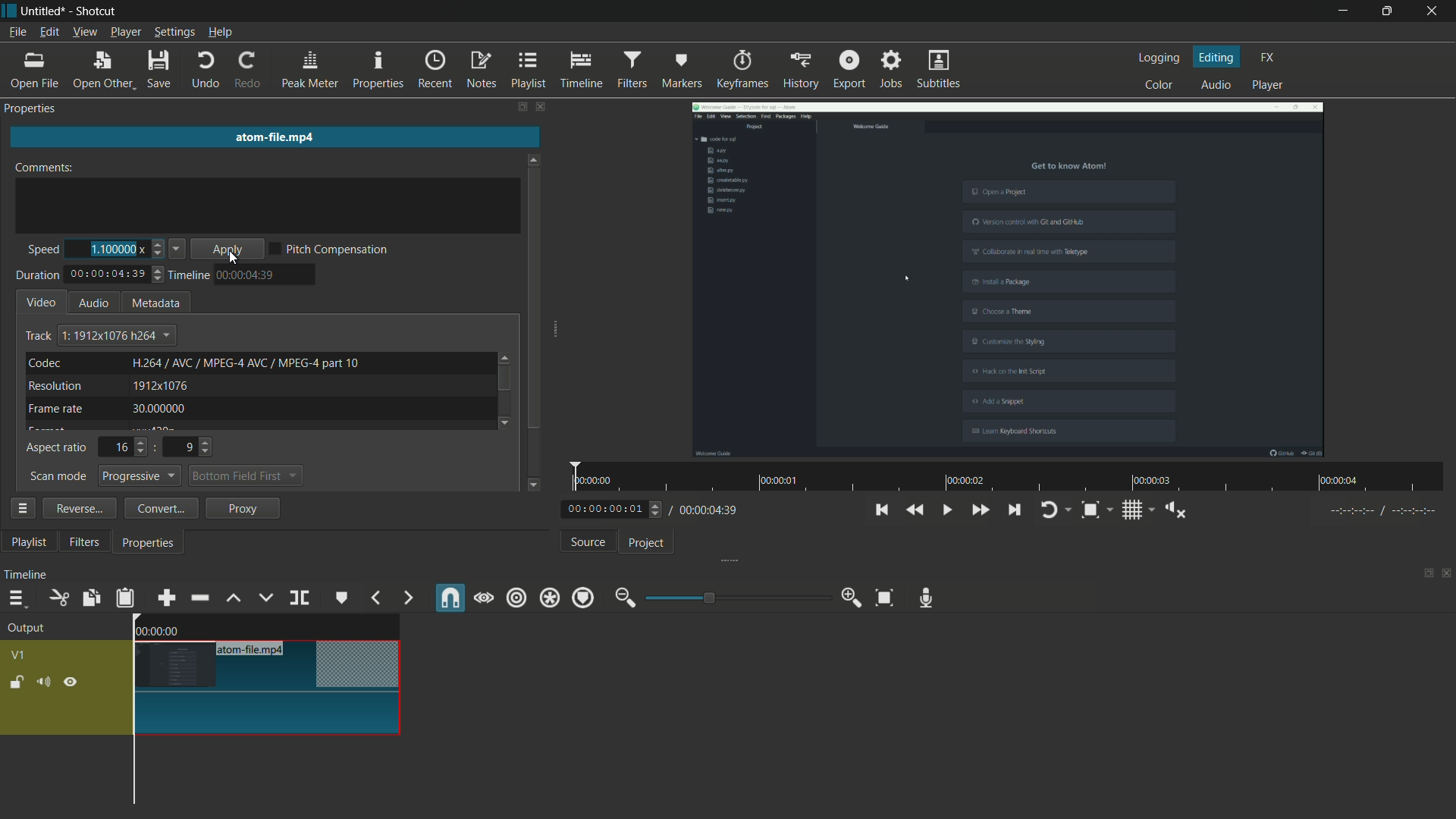 Image resolution: width=1456 pixels, height=819 pixels. Describe the element at coordinates (16, 598) in the screenshot. I see `timeline menu` at that location.